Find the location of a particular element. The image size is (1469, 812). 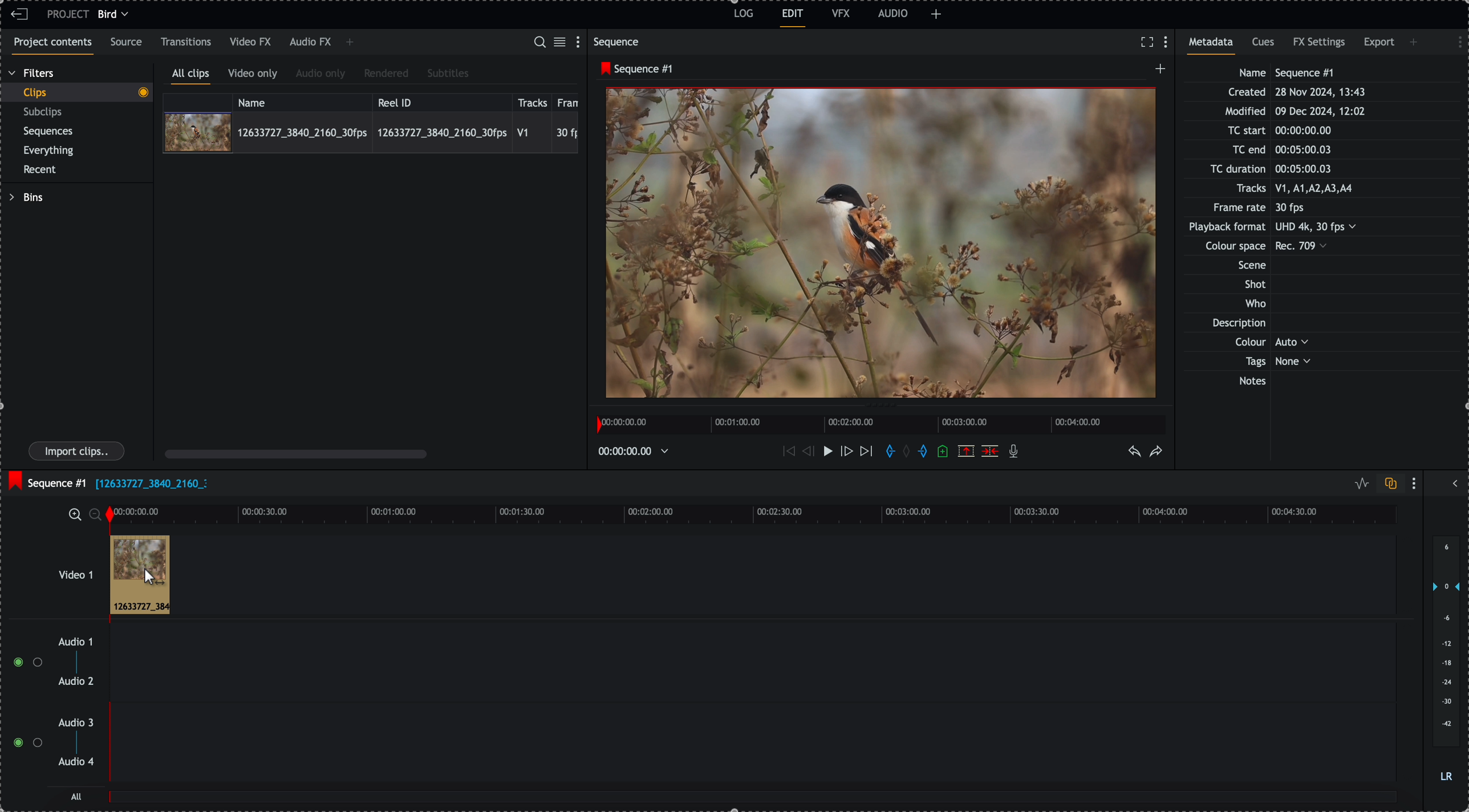

audio 3 is located at coordinates (79, 723).